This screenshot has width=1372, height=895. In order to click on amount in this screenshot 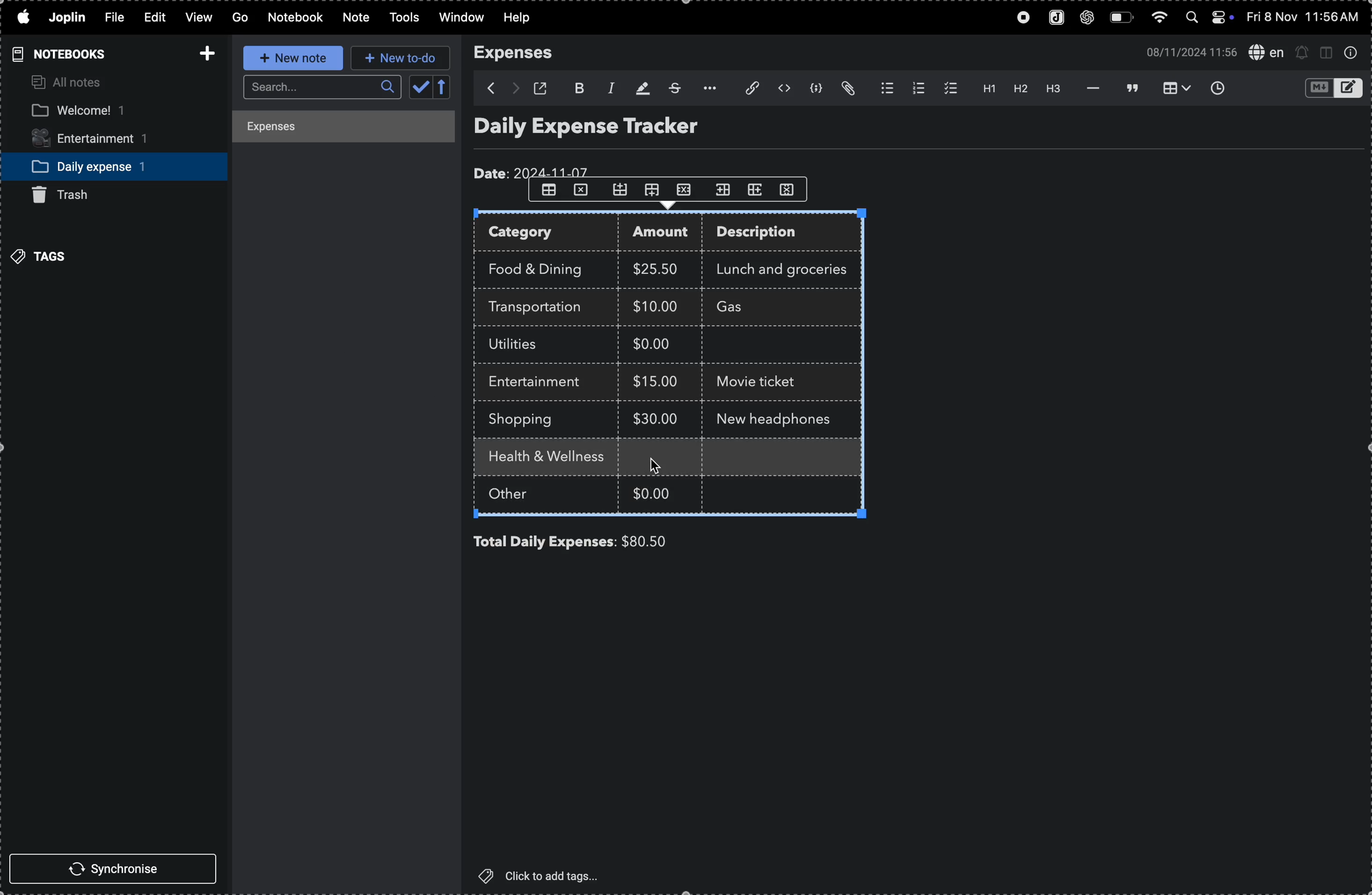, I will do `click(665, 234)`.